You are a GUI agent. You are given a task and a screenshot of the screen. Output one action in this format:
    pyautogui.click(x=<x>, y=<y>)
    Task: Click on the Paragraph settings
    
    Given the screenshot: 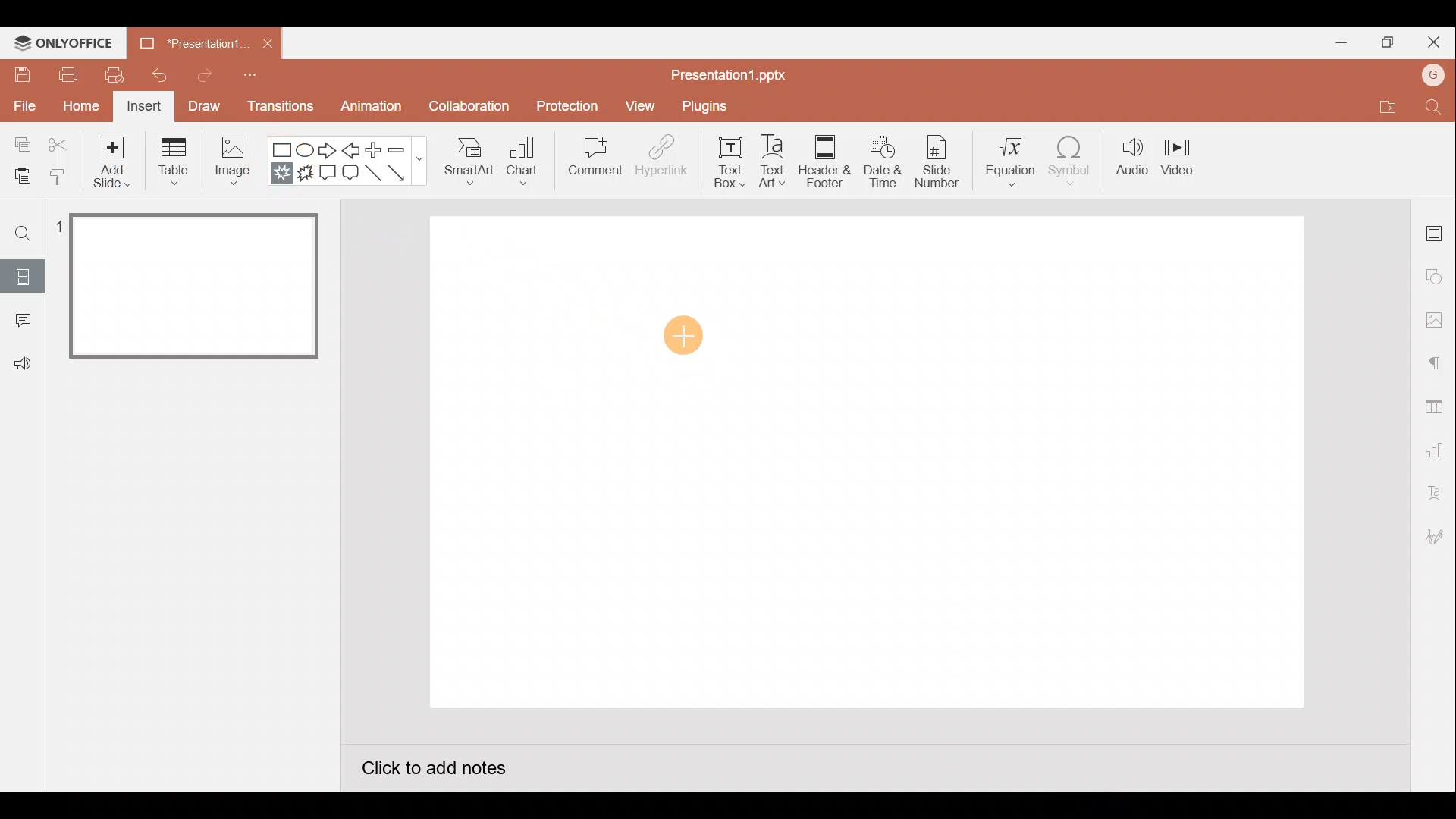 What is the action you would take?
    pyautogui.click(x=1436, y=359)
    